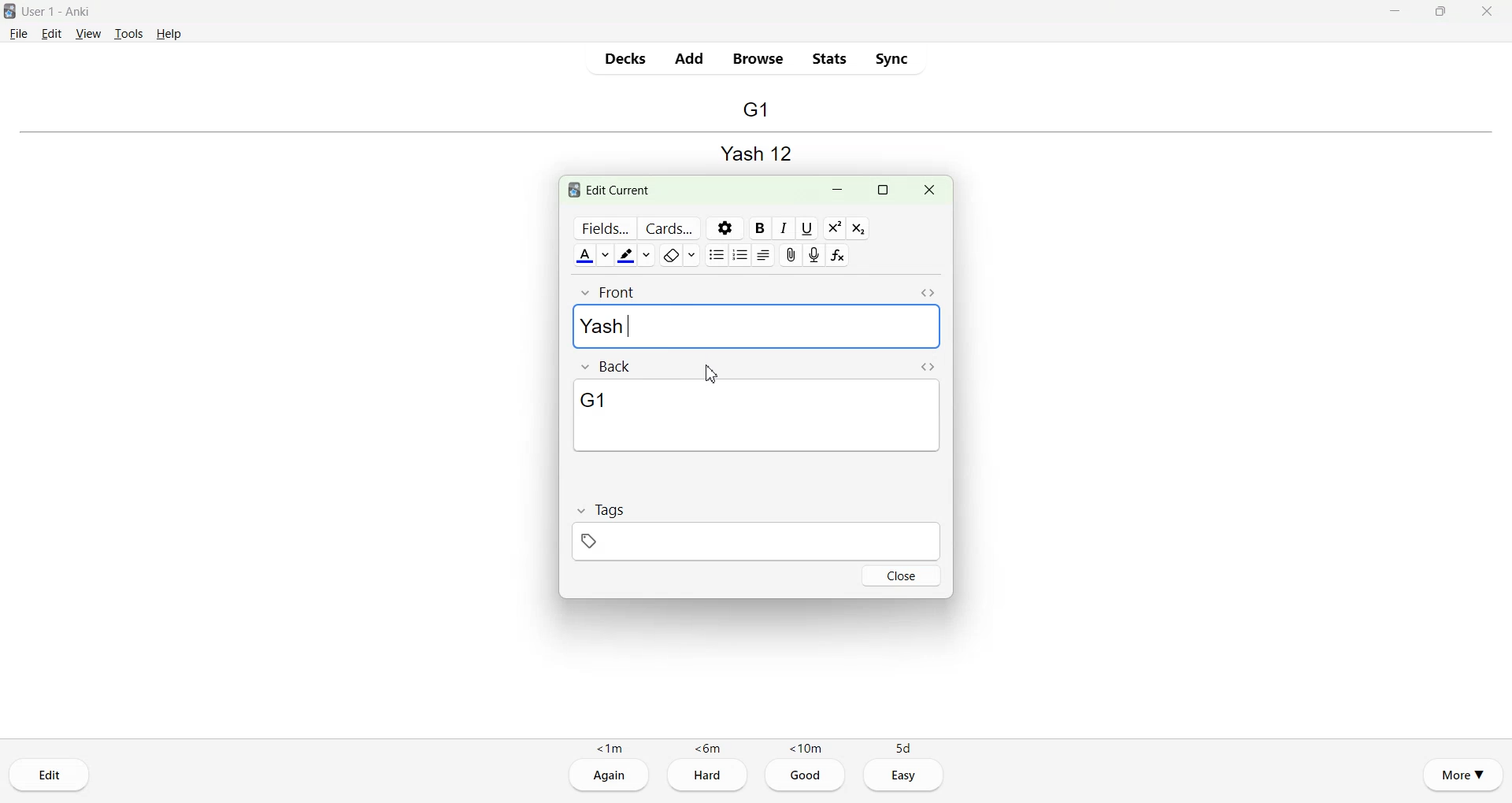 The height and width of the screenshot is (803, 1512). What do you see at coordinates (19, 32) in the screenshot?
I see `File` at bounding box center [19, 32].